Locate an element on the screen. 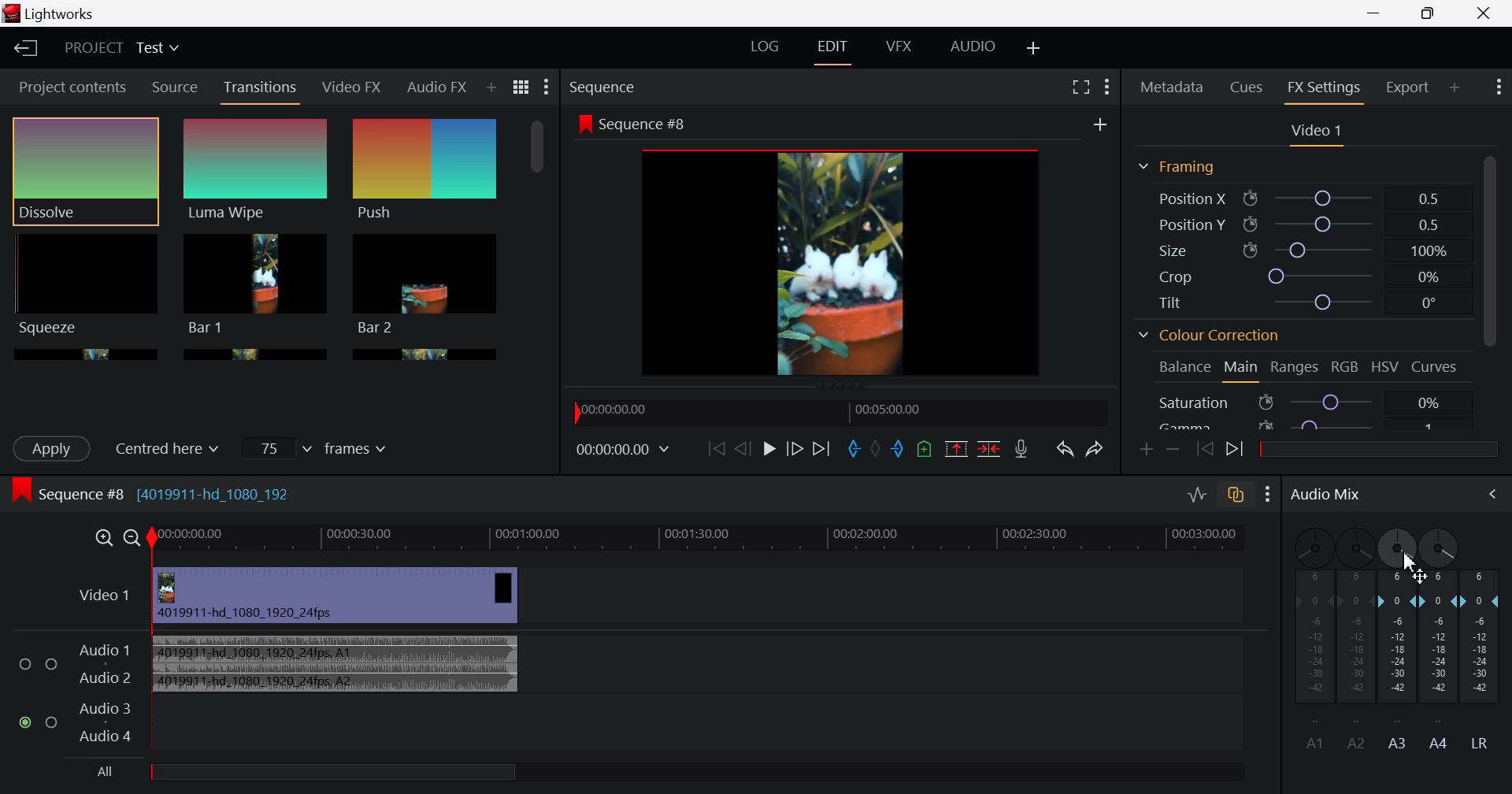 This screenshot has width=1512, height=794. Project contents is located at coordinates (66, 86).